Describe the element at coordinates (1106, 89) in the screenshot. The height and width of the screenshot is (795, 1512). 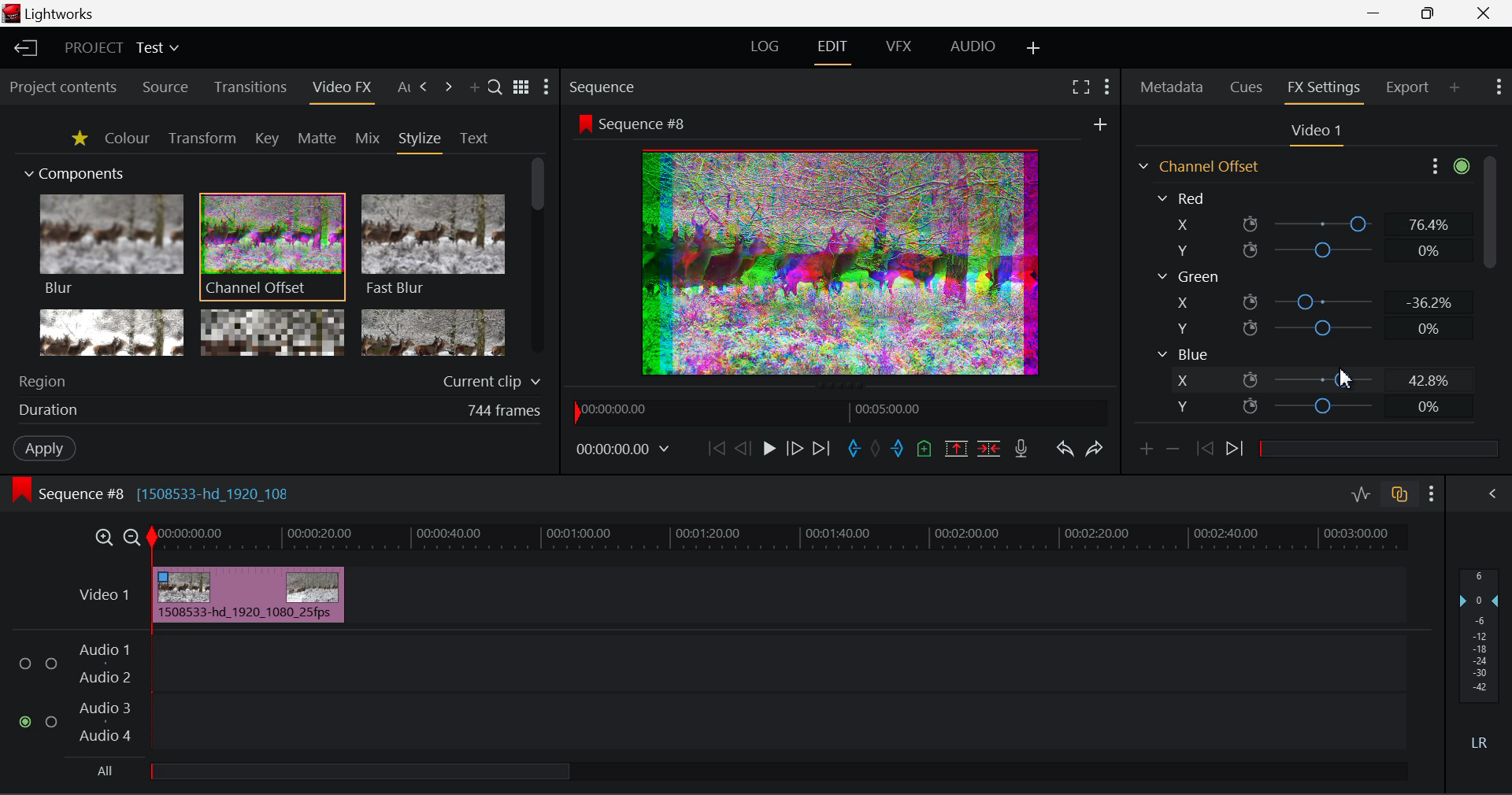
I see `Show Settings` at that location.